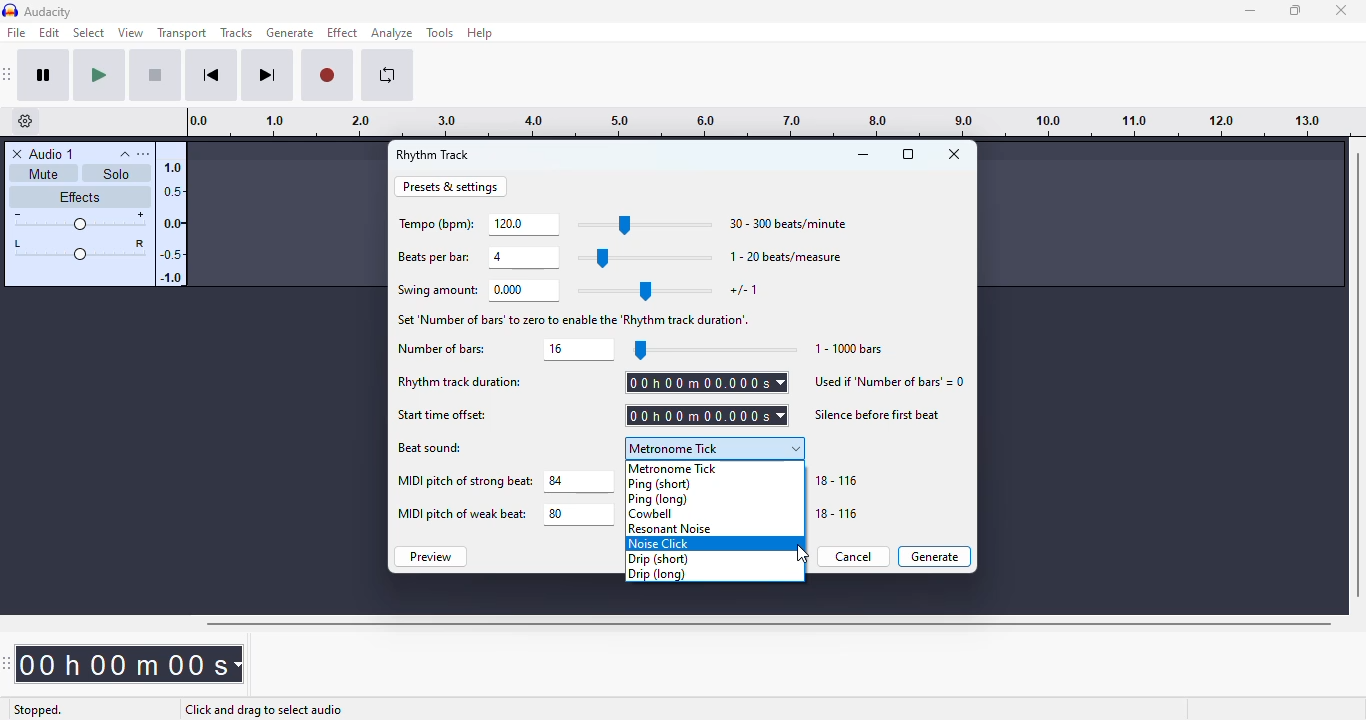 This screenshot has height=720, width=1366. I want to click on view, so click(131, 32).